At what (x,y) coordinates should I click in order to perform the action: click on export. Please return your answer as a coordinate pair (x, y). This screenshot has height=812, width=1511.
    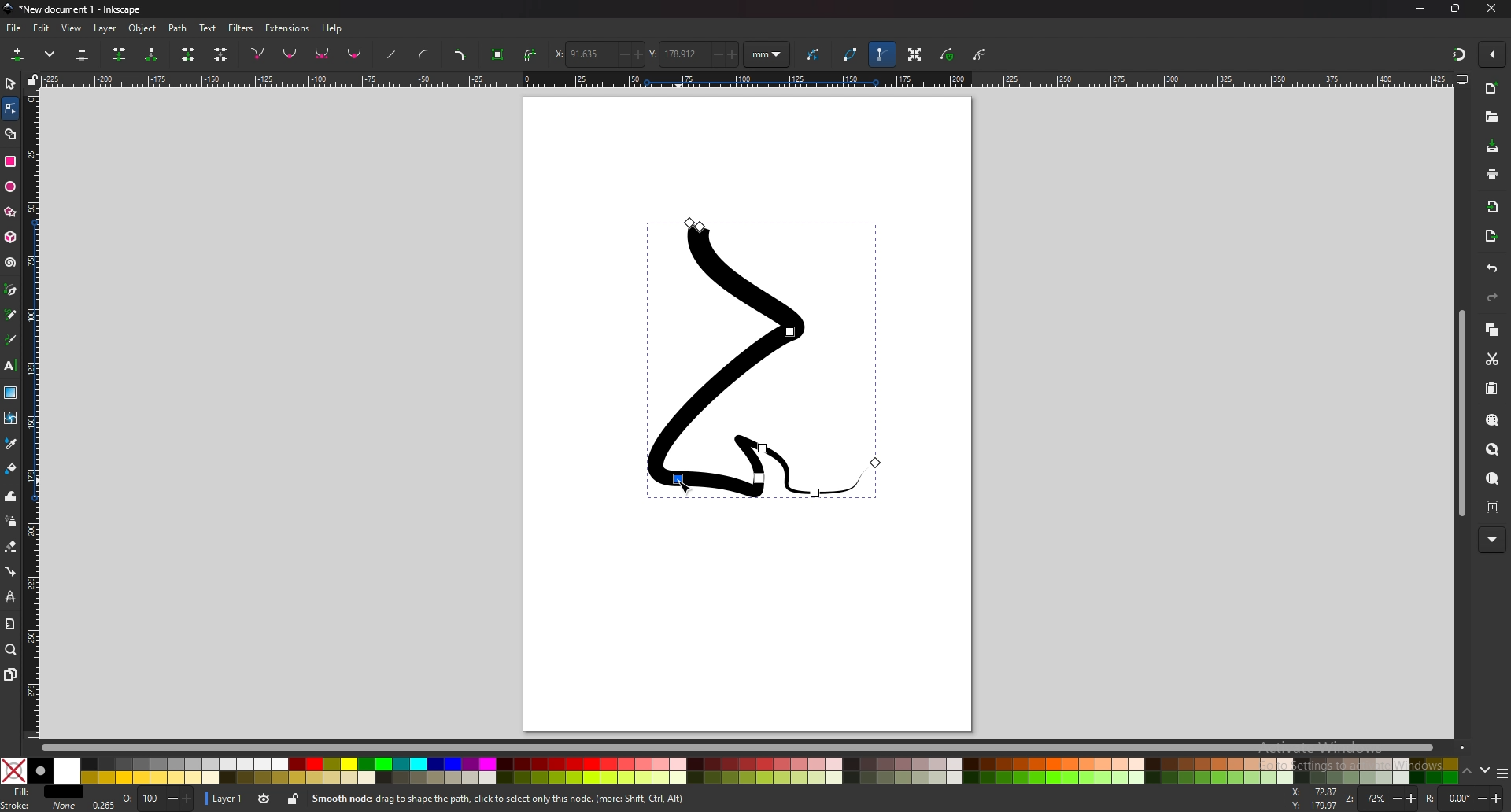
    Looking at the image, I should click on (1491, 235).